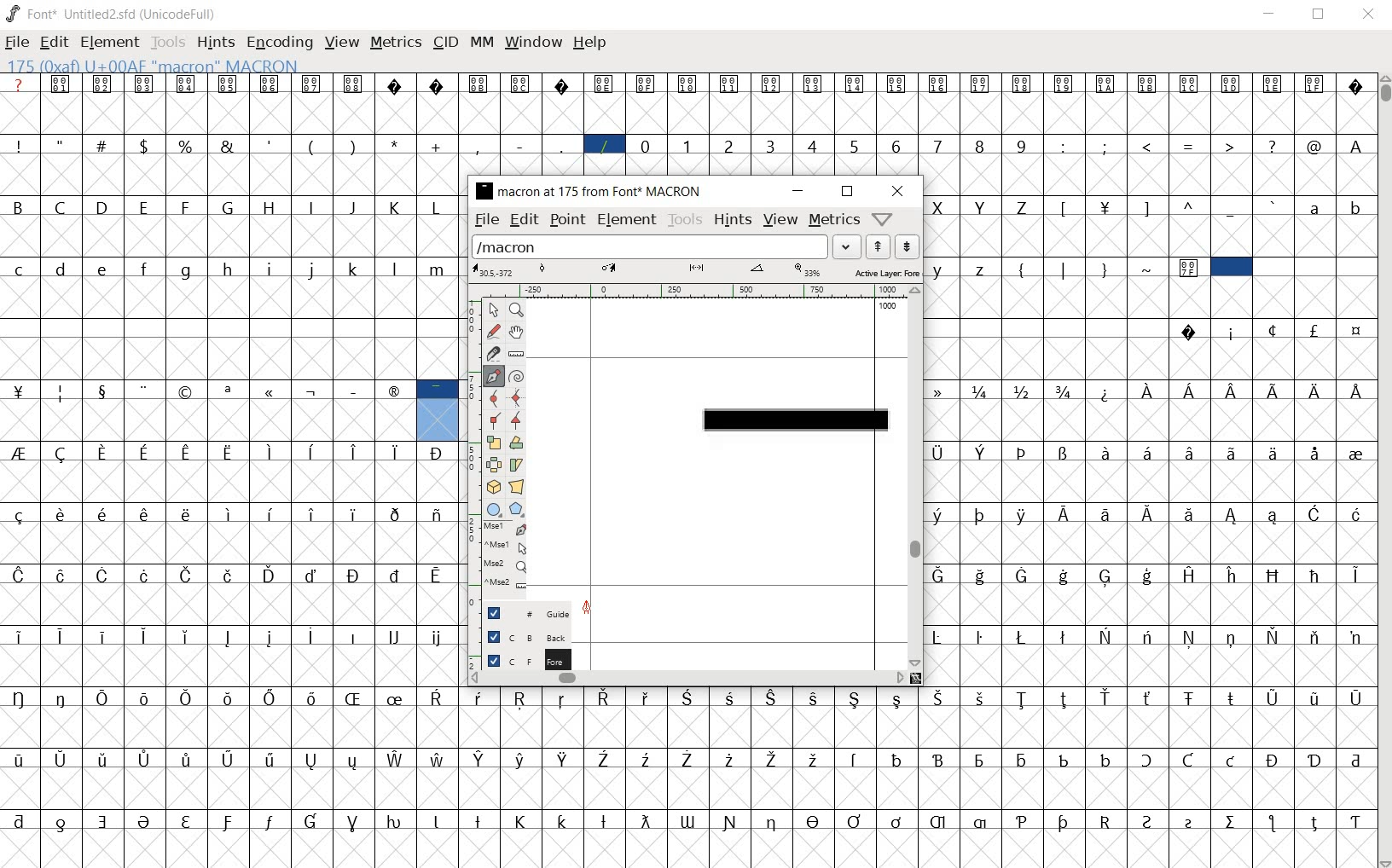 Image resolution: width=1392 pixels, height=868 pixels. What do you see at coordinates (886, 306) in the screenshot?
I see `1000` at bounding box center [886, 306].